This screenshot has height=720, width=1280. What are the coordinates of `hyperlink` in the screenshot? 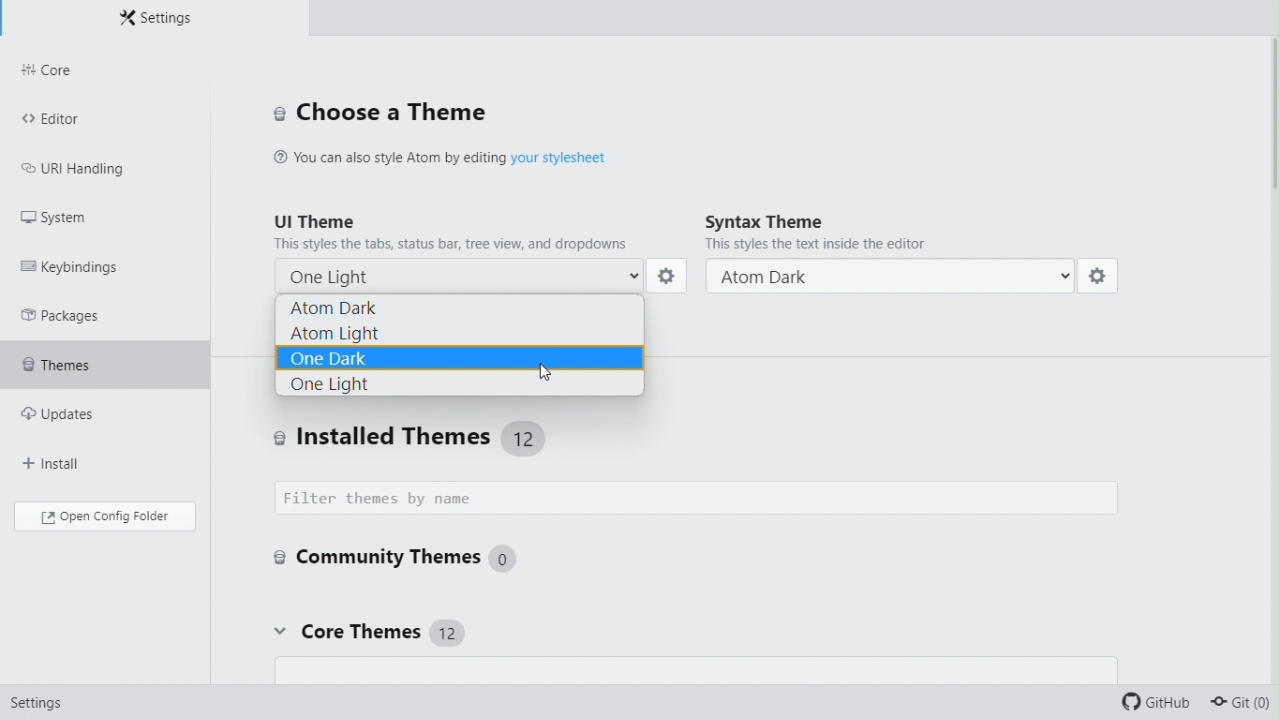 It's located at (563, 158).